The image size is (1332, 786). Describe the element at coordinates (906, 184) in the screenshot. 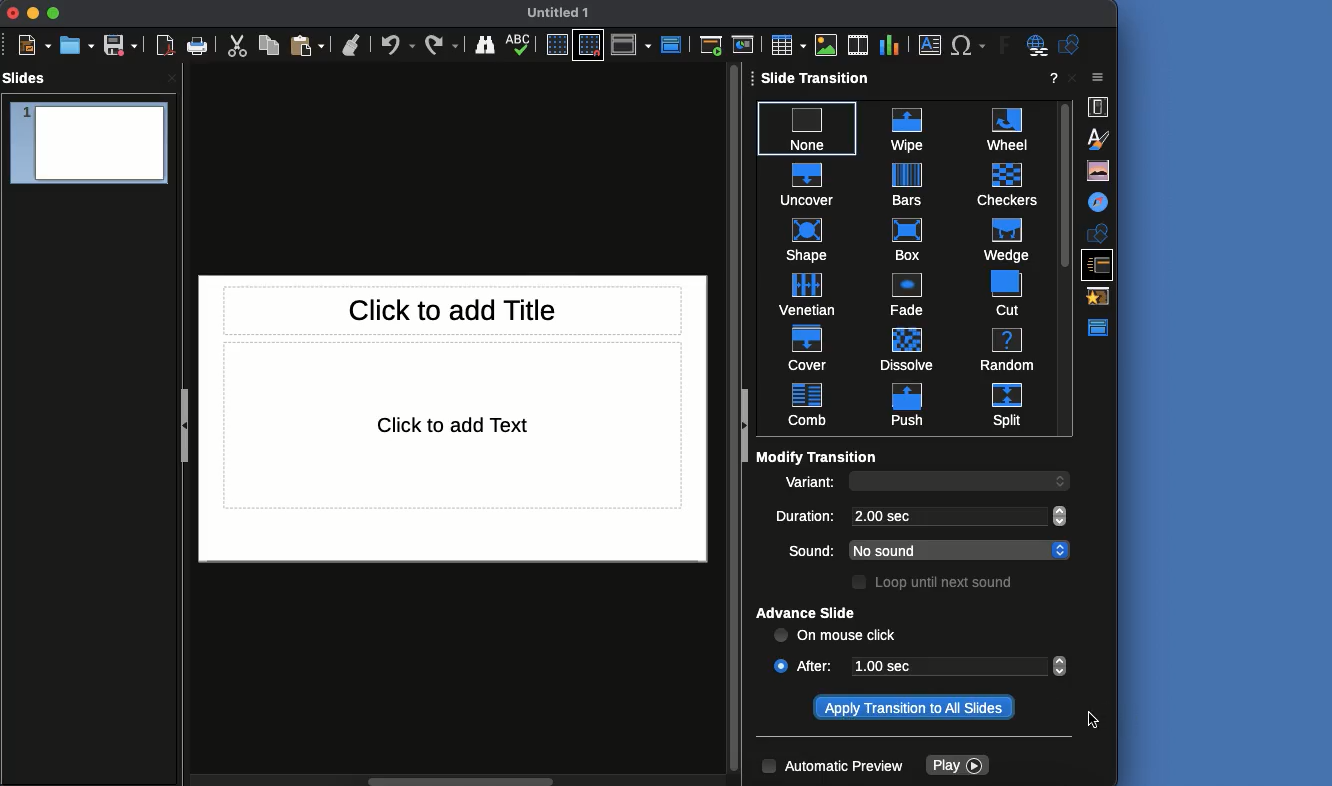

I see `bars` at that location.